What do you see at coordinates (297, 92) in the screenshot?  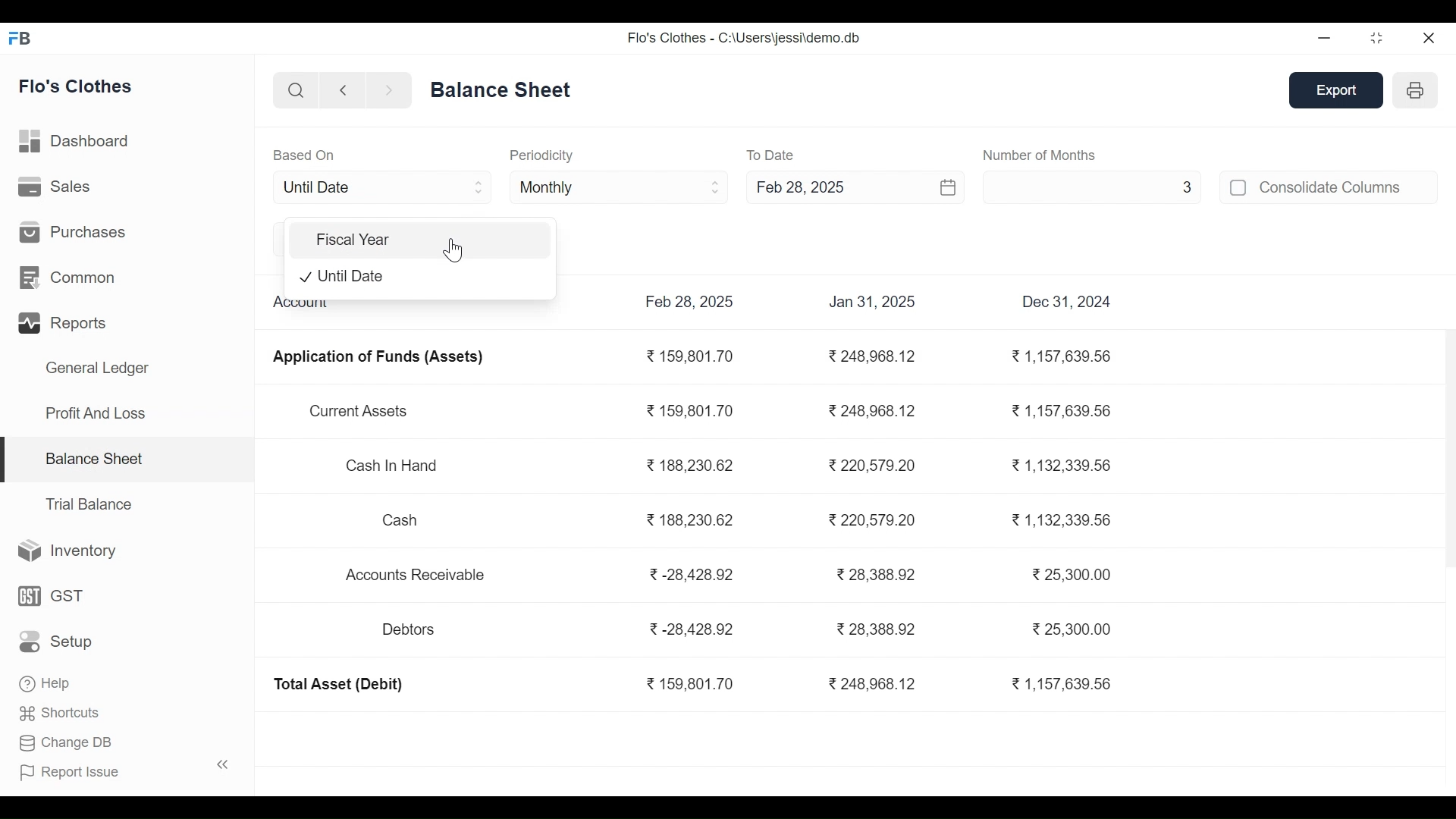 I see `search` at bounding box center [297, 92].